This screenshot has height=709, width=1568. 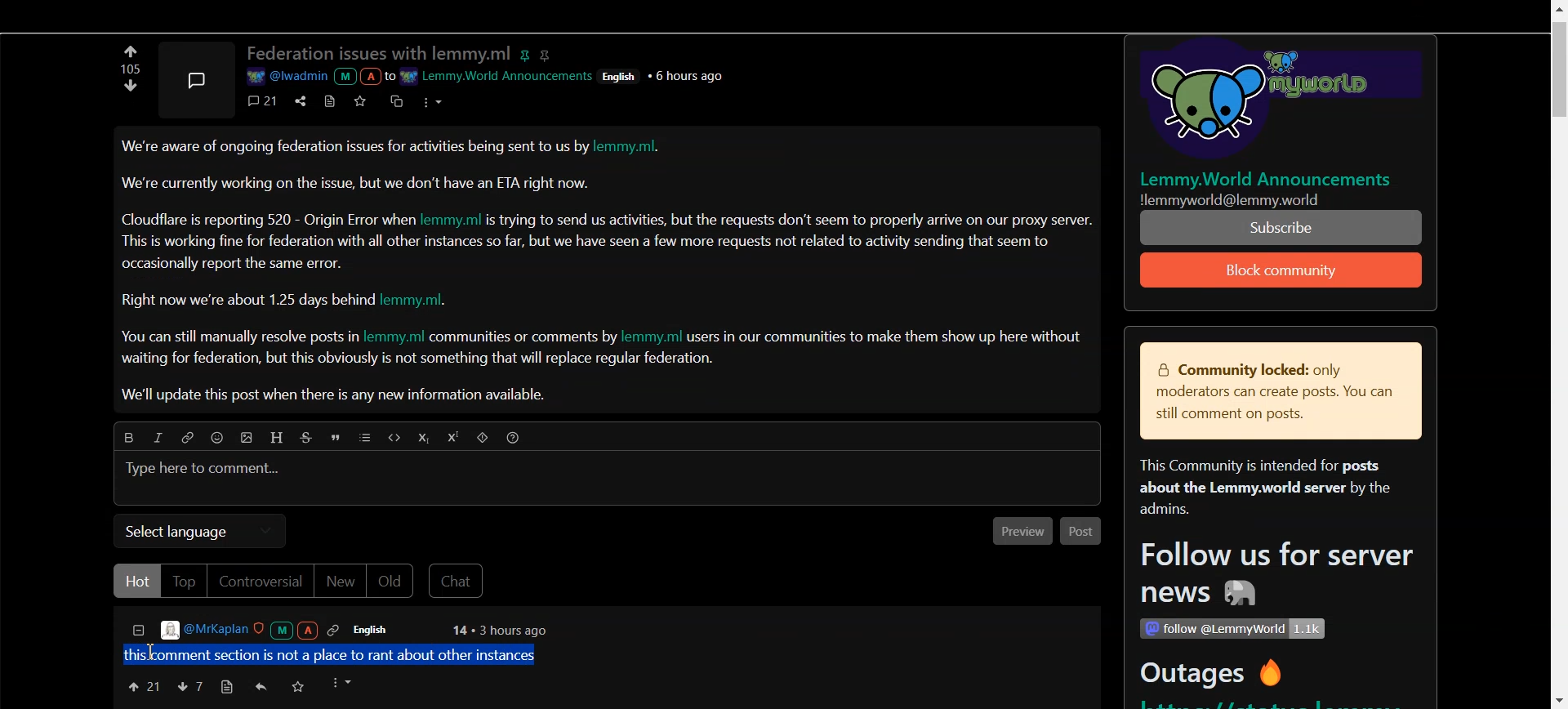 What do you see at coordinates (791, 221) in the screenshot?
I see `s trying to send us activities, but the requests don’t seem to properly arrive on our proxy server.` at bounding box center [791, 221].